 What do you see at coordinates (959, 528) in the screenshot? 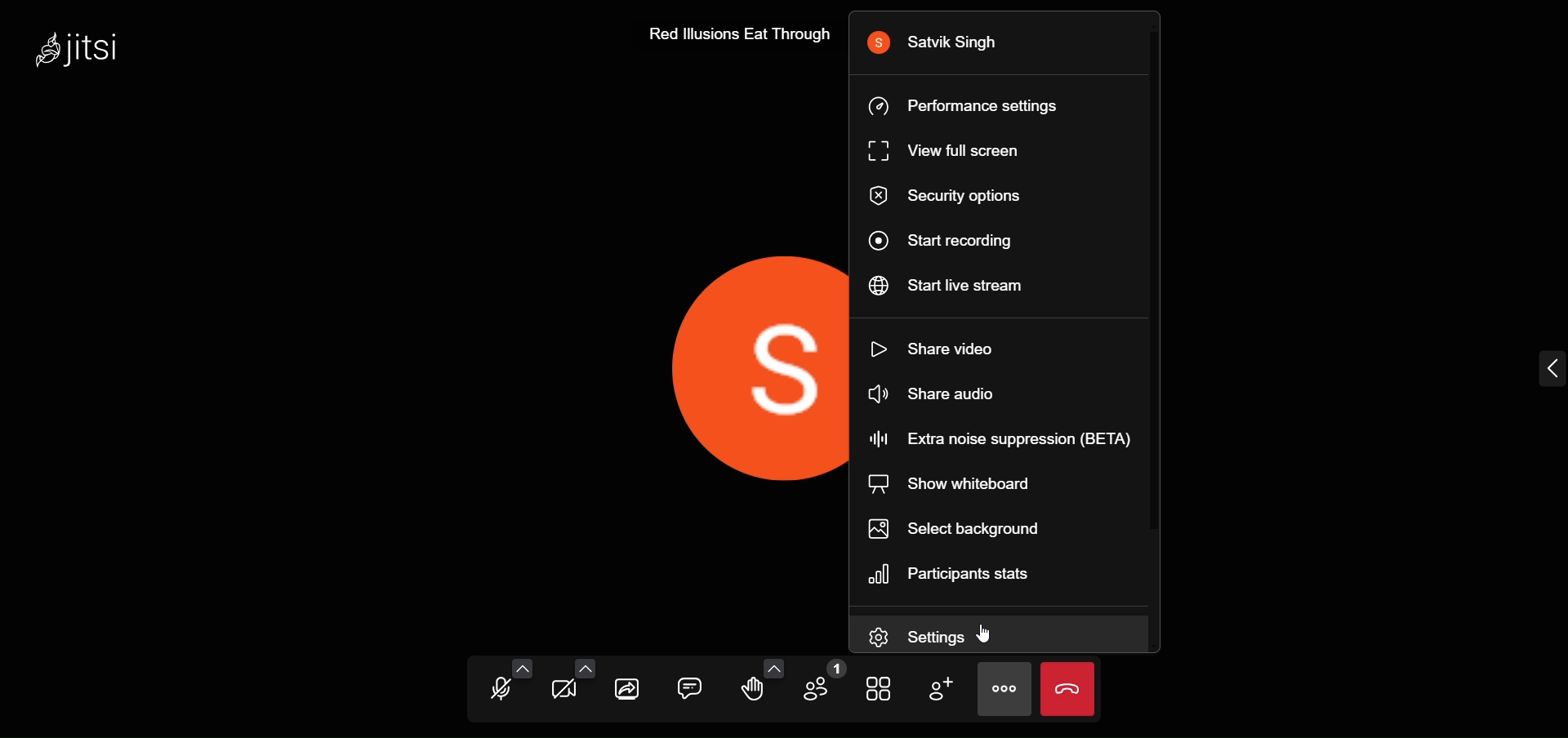
I see `select background` at bounding box center [959, 528].